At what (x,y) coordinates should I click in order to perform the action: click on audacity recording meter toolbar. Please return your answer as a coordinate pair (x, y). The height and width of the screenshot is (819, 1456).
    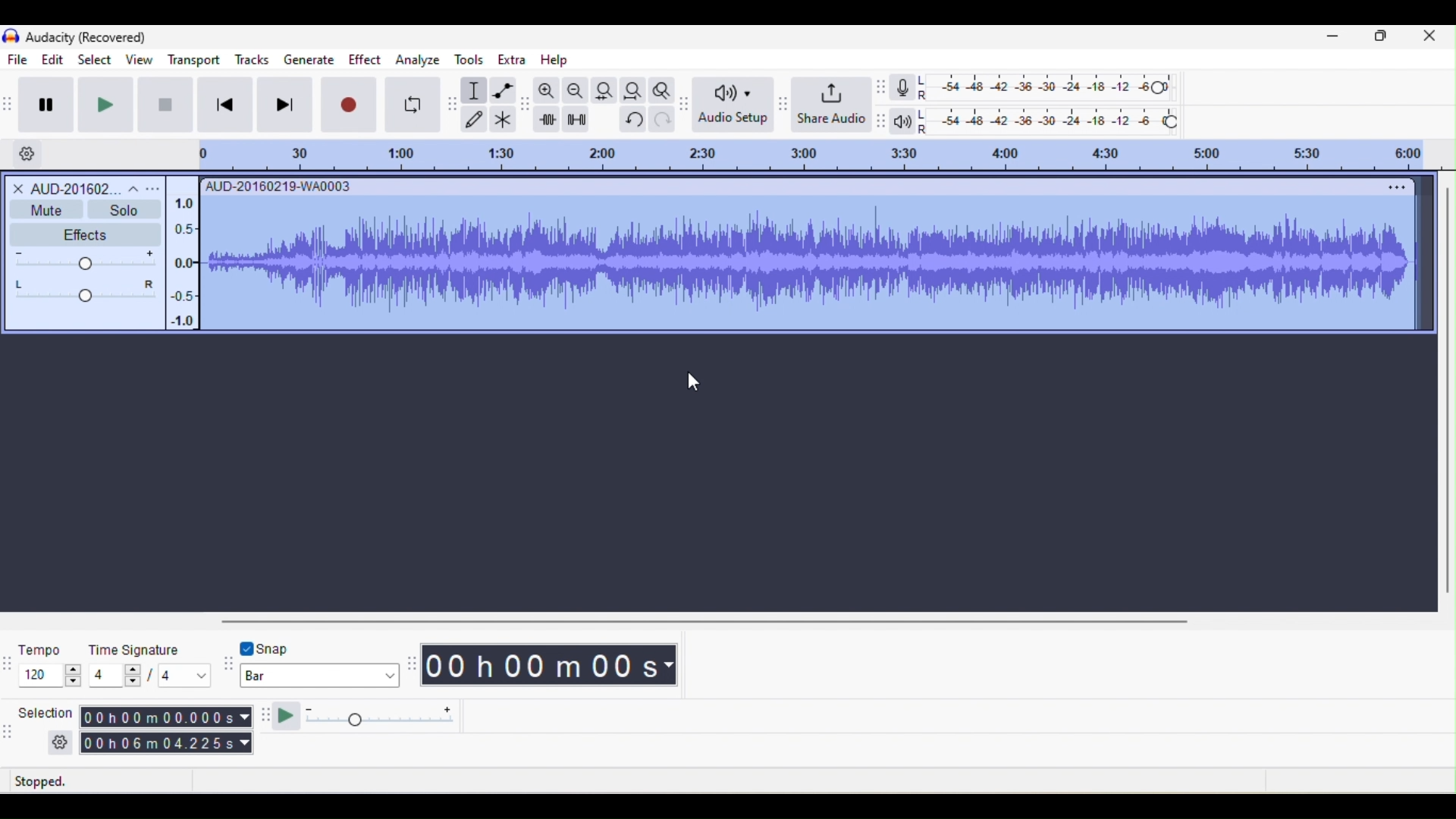
    Looking at the image, I should click on (882, 88).